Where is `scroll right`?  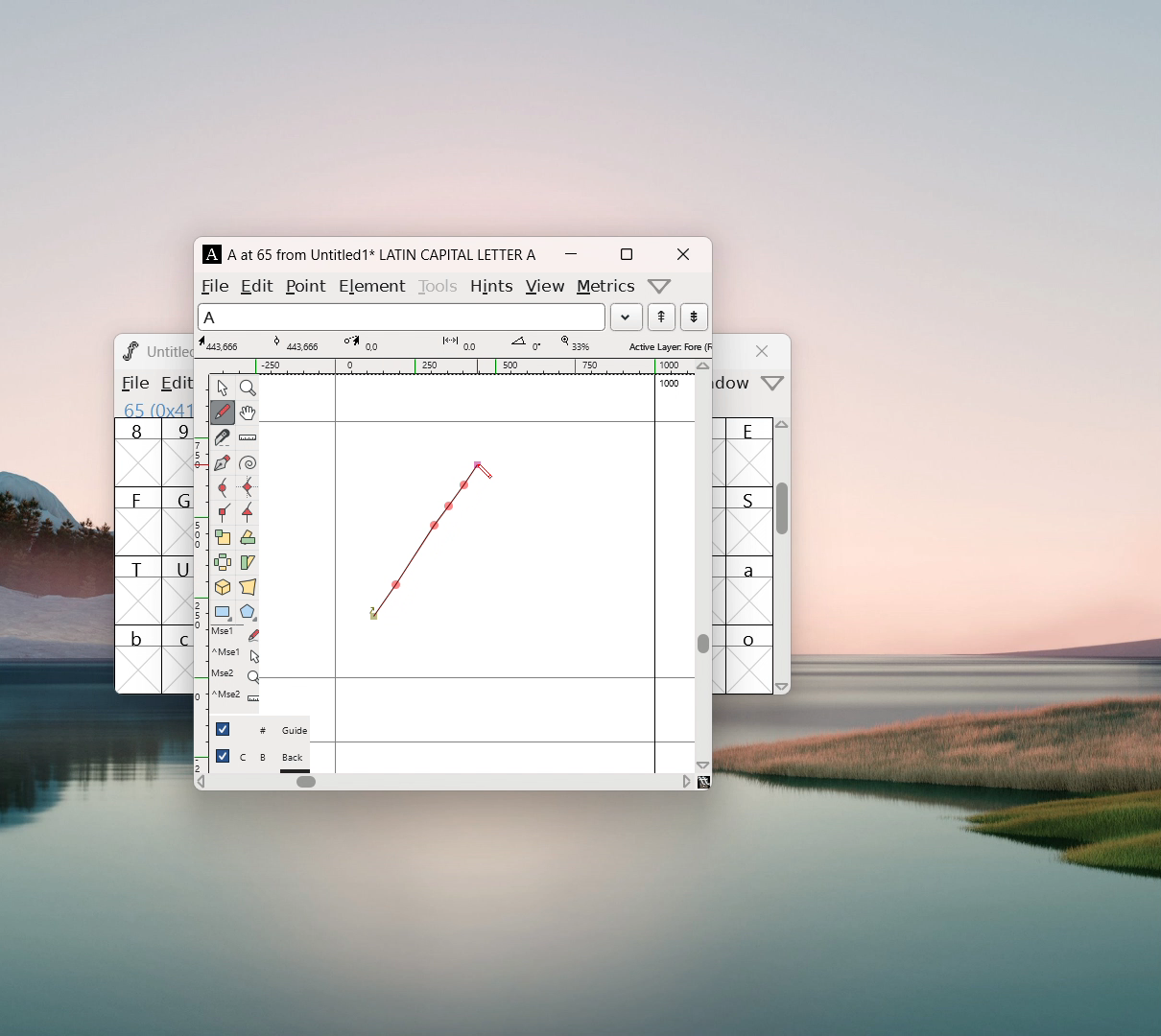
scroll right is located at coordinates (686, 781).